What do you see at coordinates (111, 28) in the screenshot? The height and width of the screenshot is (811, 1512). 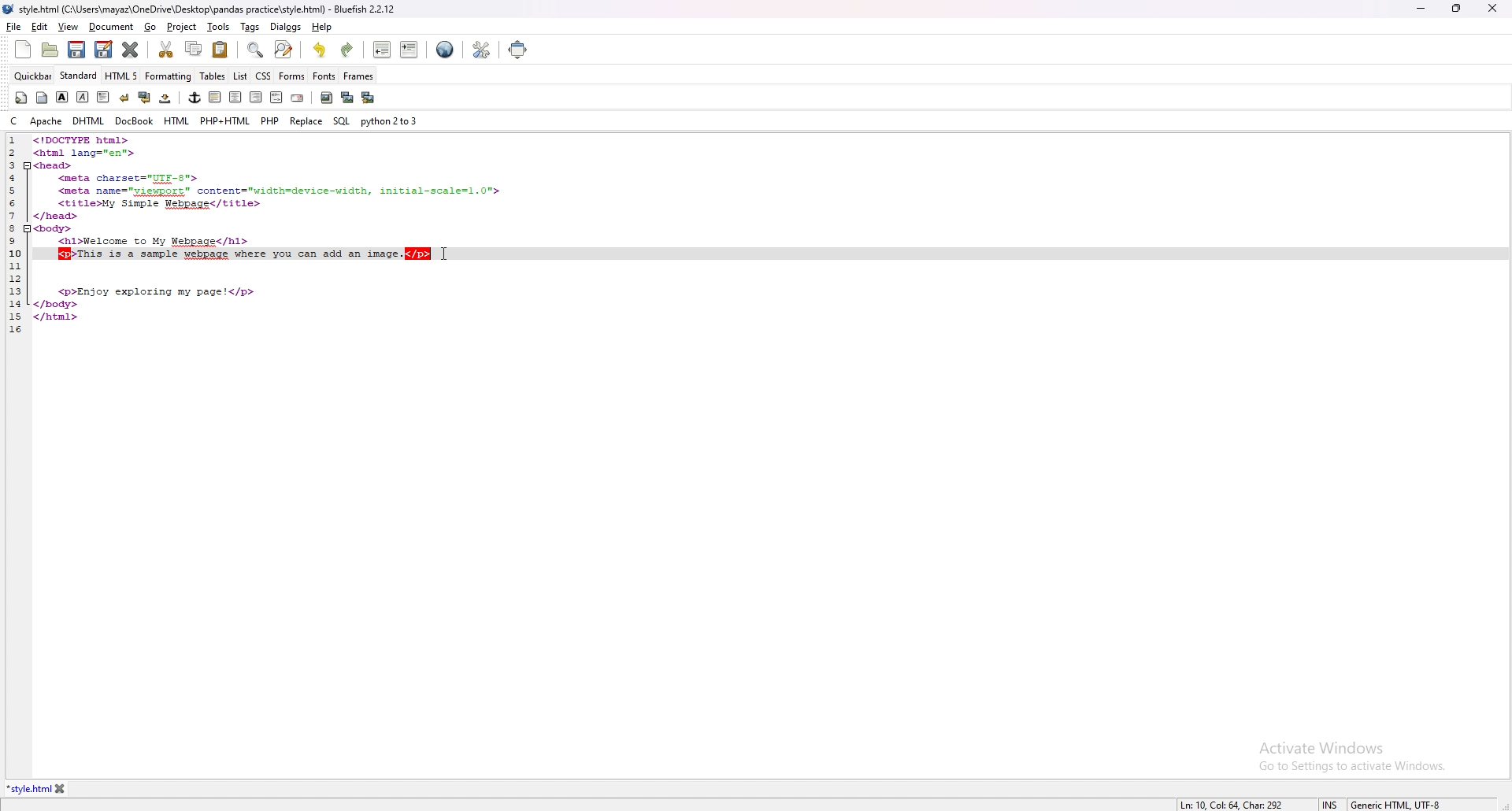 I see `document` at bounding box center [111, 28].